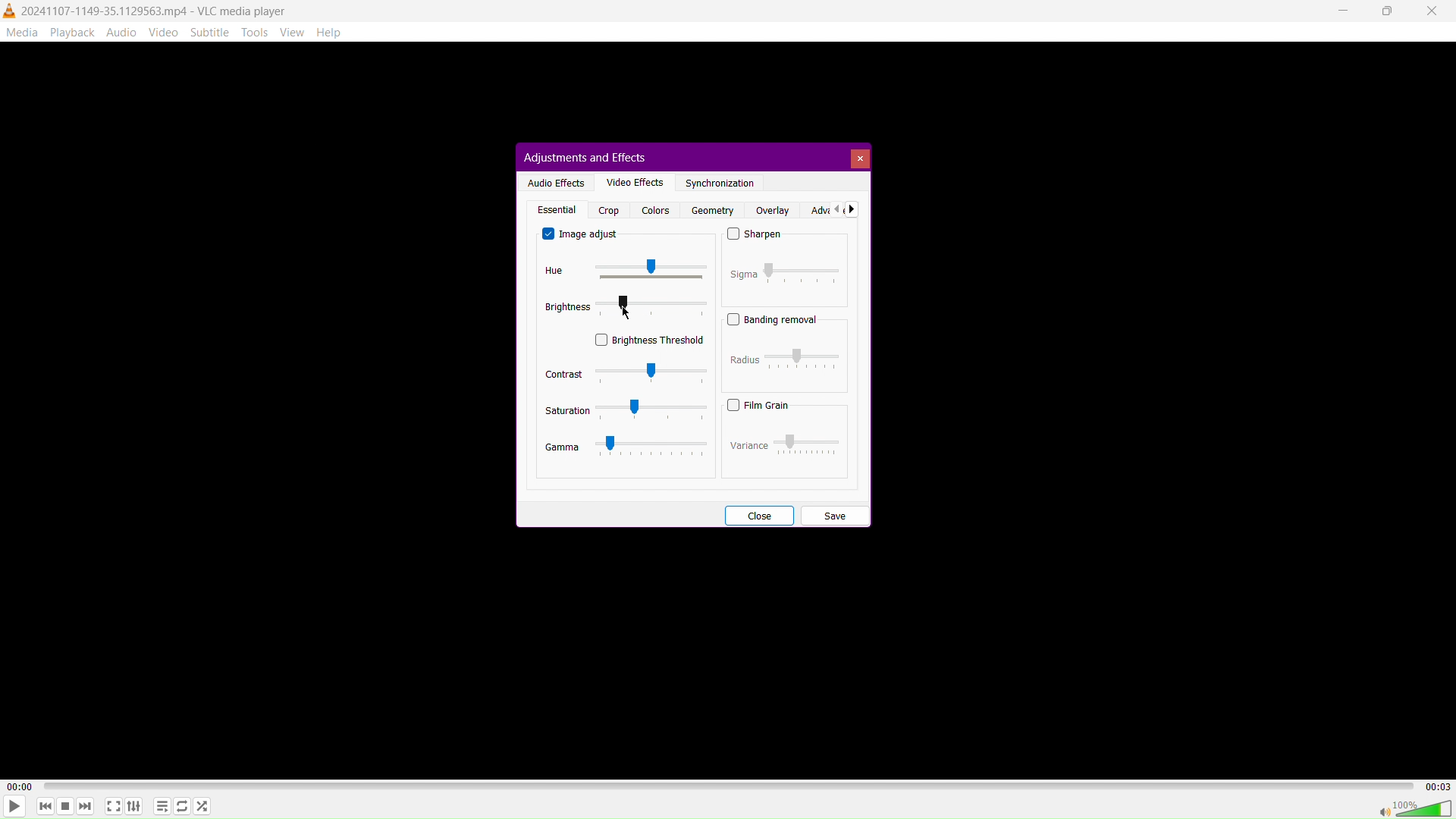 This screenshot has width=1456, height=819. What do you see at coordinates (182, 807) in the screenshot?
I see `Toggle Loop` at bounding box center [182, 807].